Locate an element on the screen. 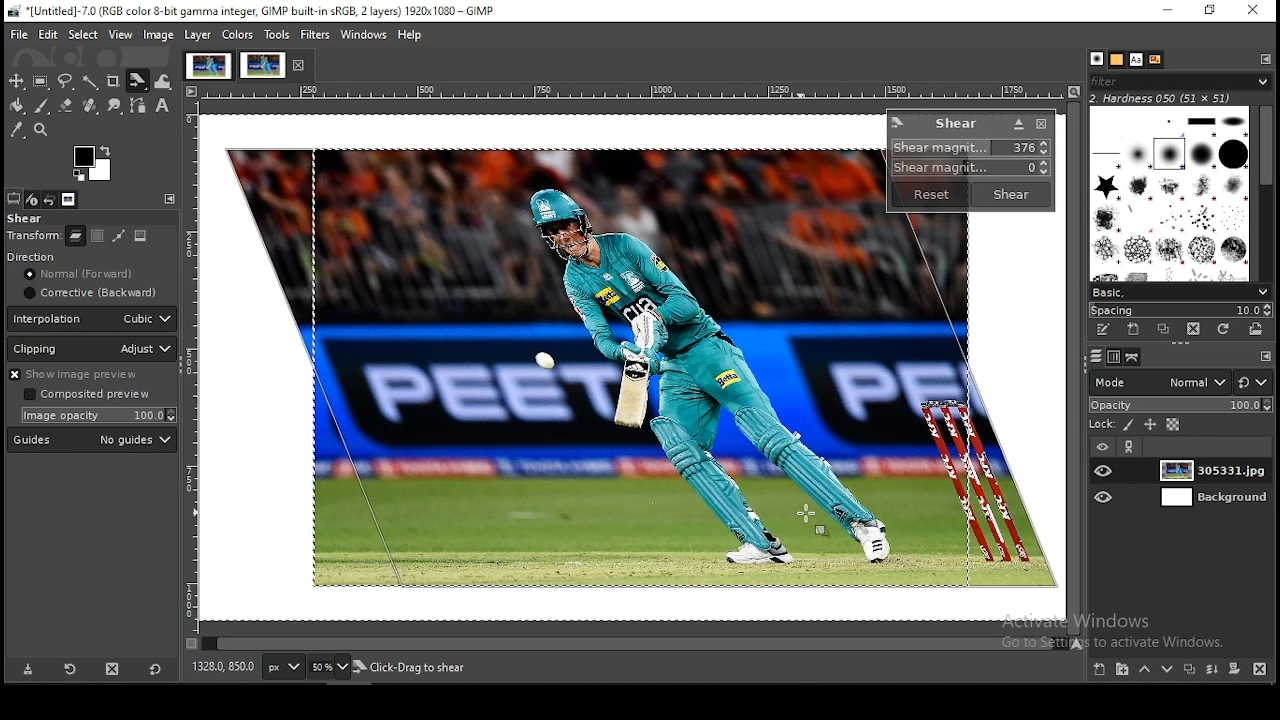 The width and height of the screenshot is (1280, 720). normal [forward] is located at coordinates (93, 274).